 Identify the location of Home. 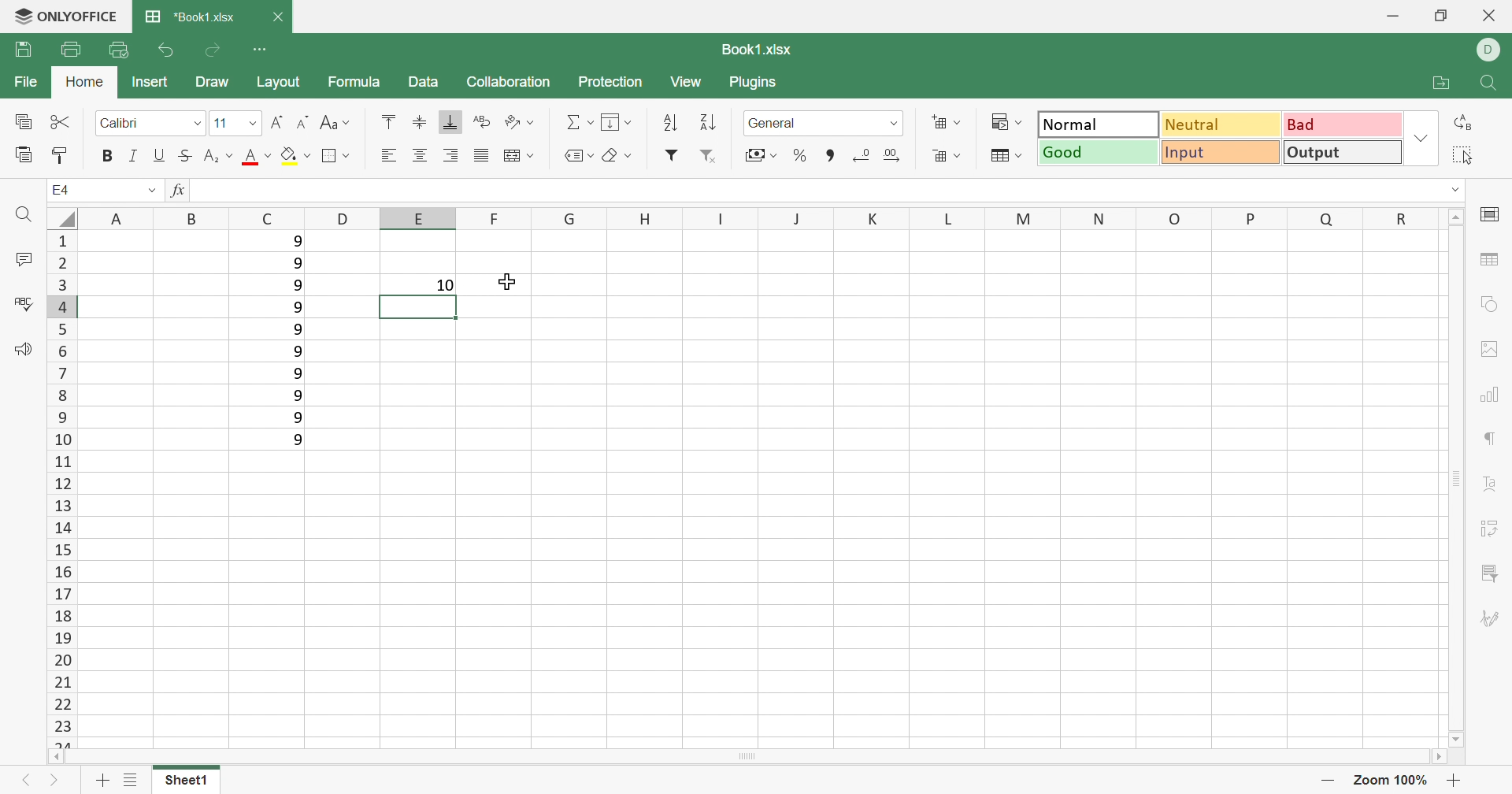
(83, 82).